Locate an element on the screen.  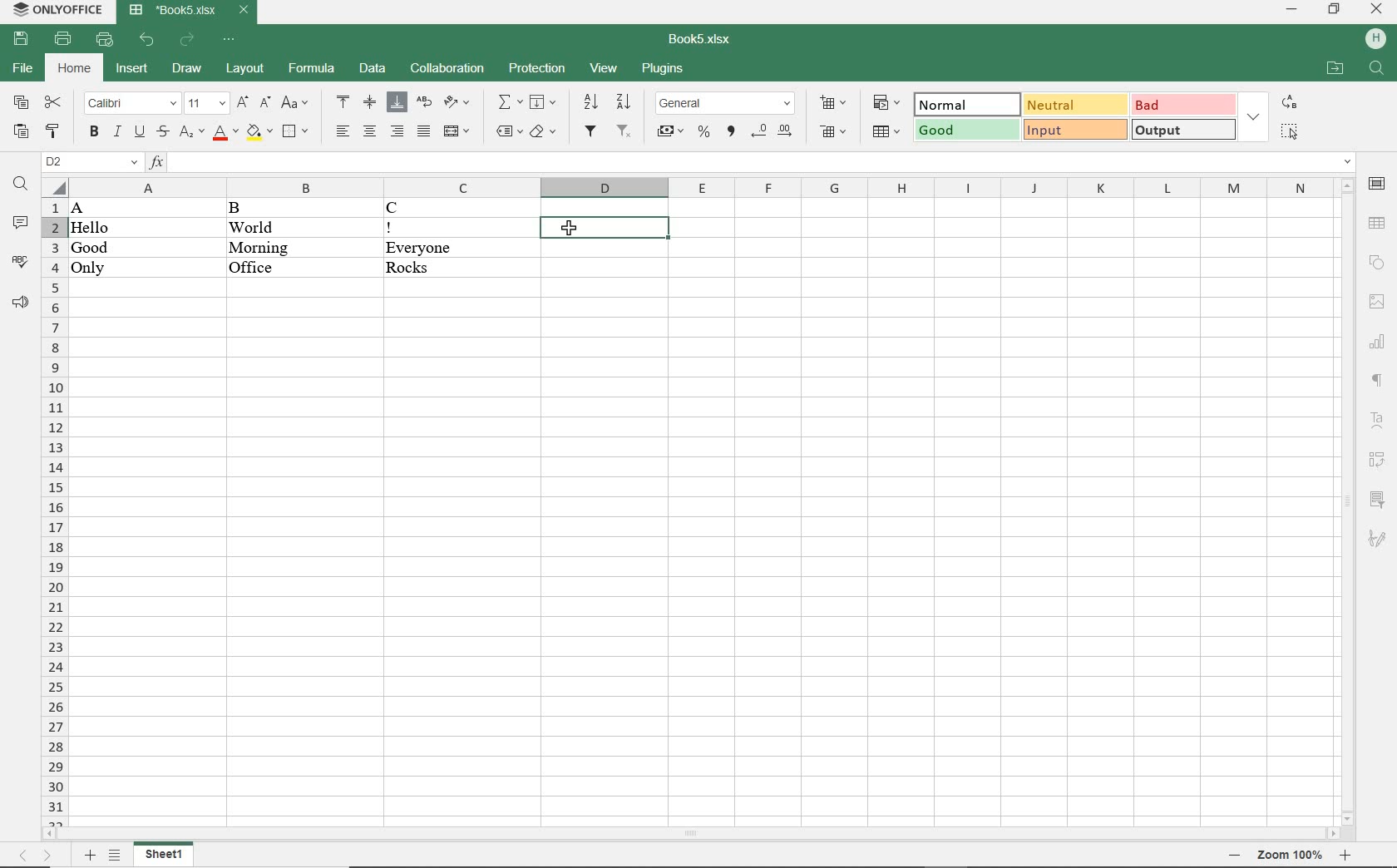
COLUMNS is located at coordinates (700, 187).